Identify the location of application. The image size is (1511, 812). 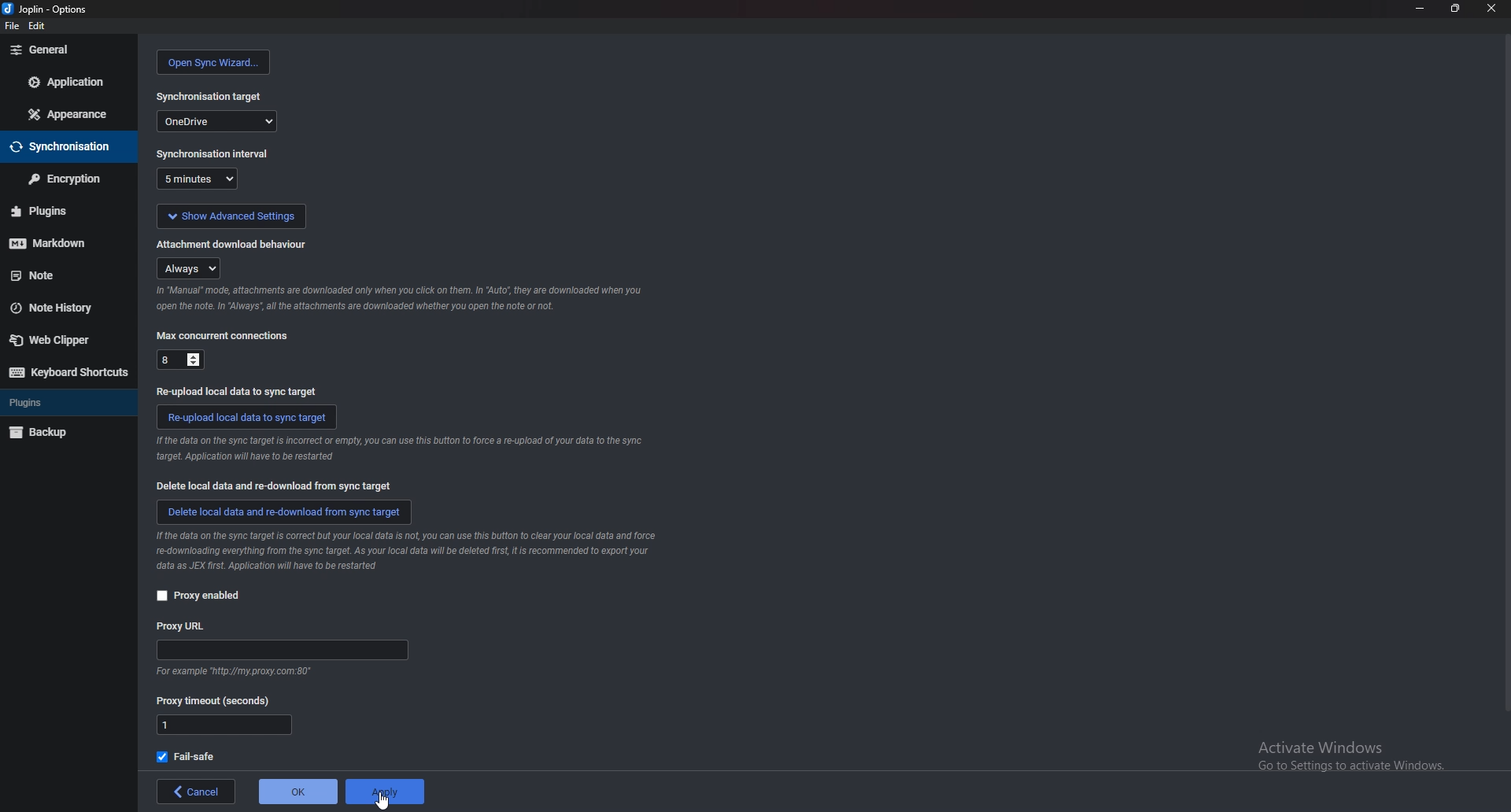
(69, 80).